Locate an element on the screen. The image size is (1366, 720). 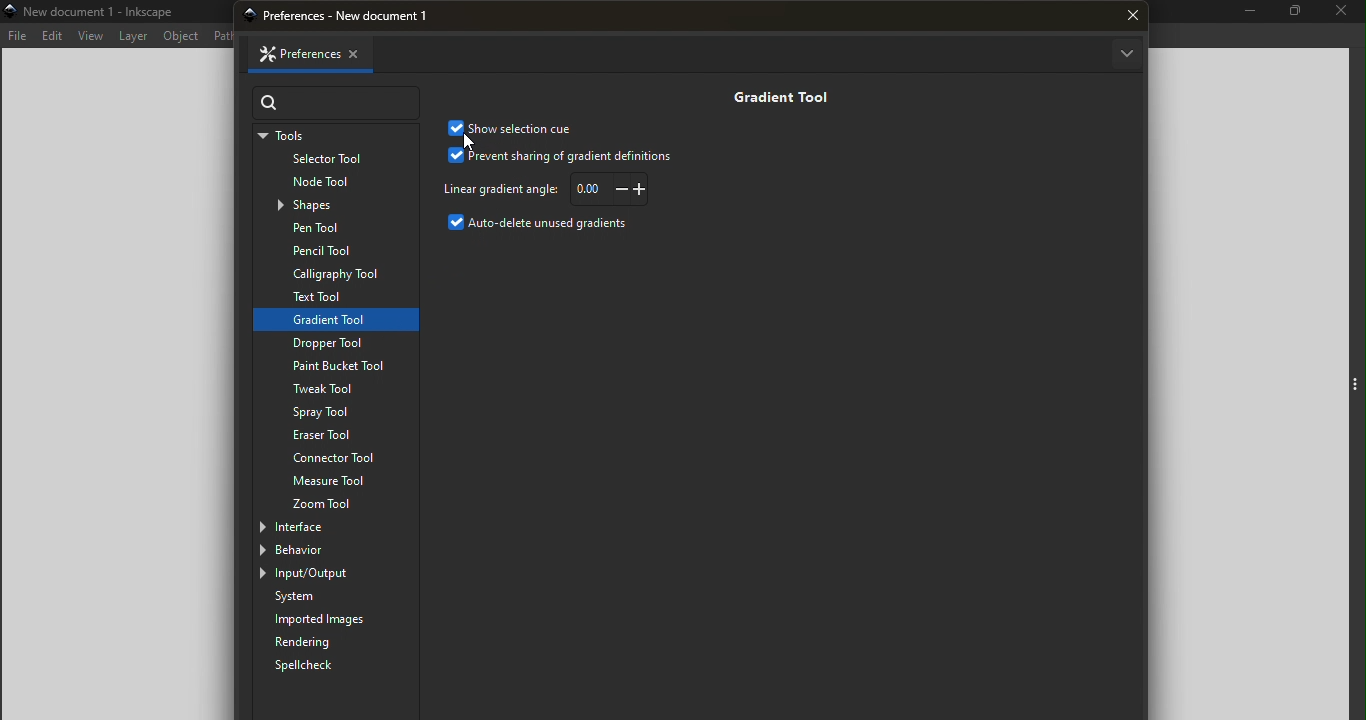
Interface is located at coordinates (321, 526).